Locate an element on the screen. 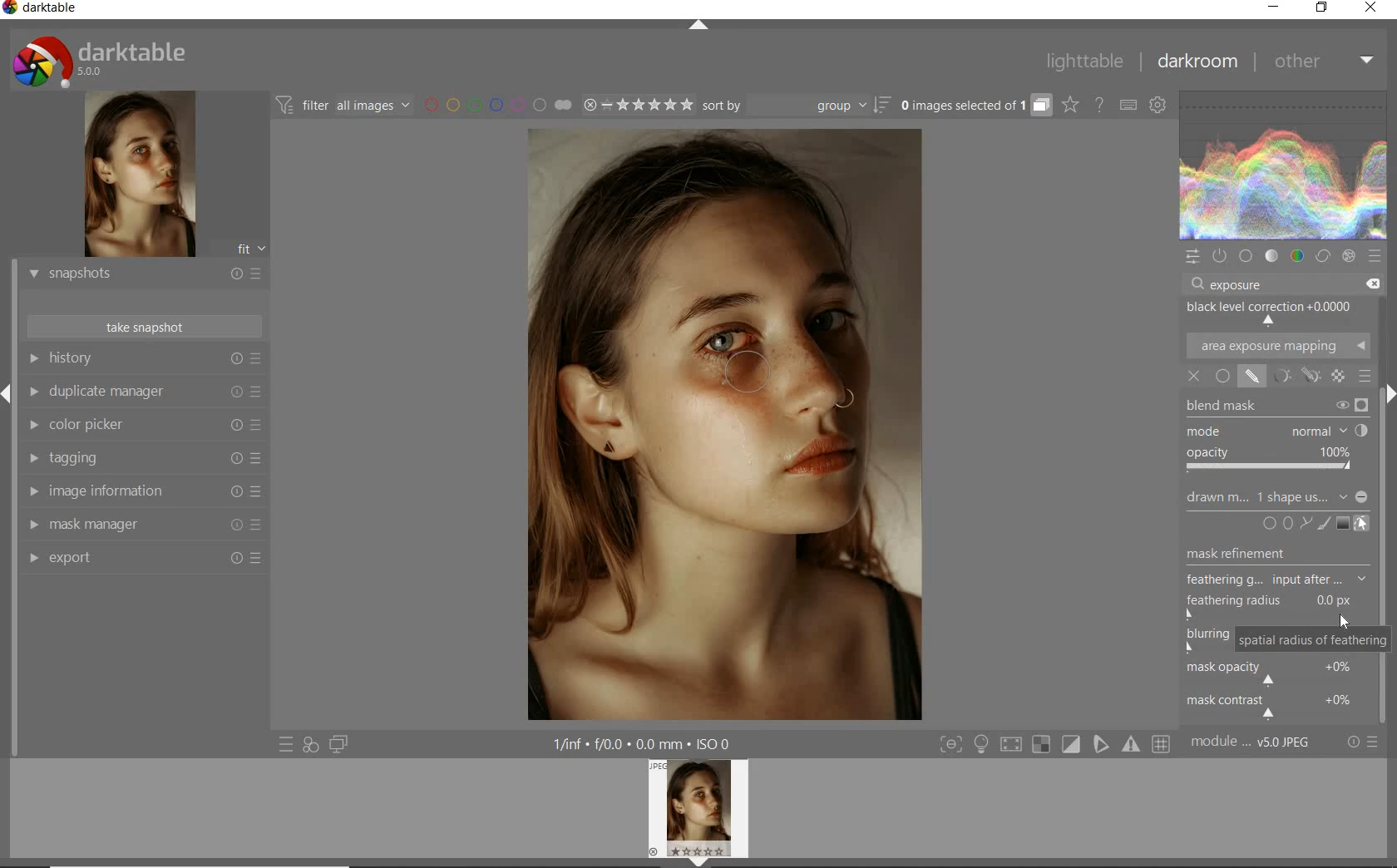 This screenshot has width=1397, height=868. darkroom is located at coordinates (1195, 62).